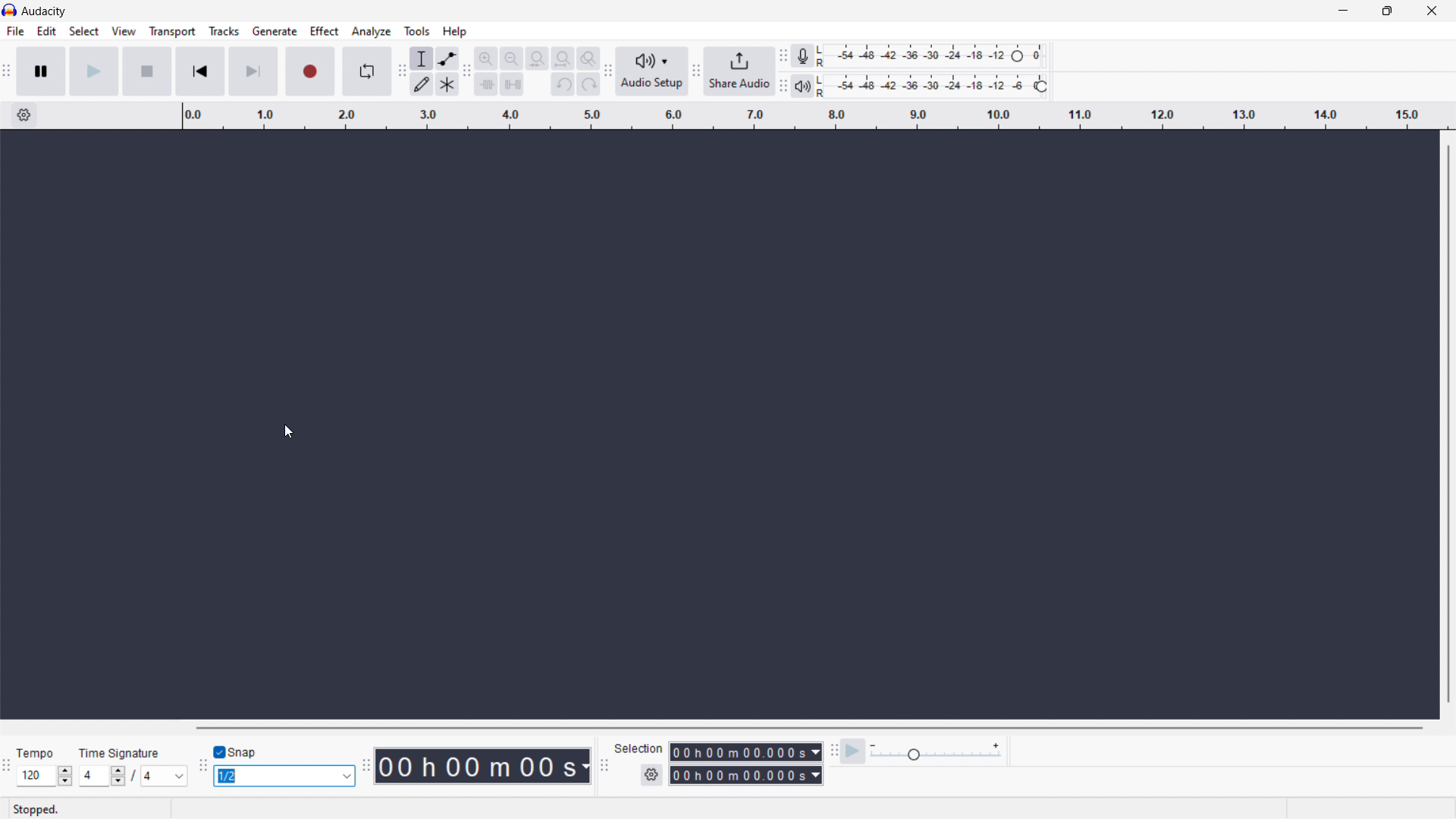 The width and height of the screenshot is (1456, 819). Describe the element at coordinates (783, 55) in the screenshot. I see `recording meter toolbar` at that location.